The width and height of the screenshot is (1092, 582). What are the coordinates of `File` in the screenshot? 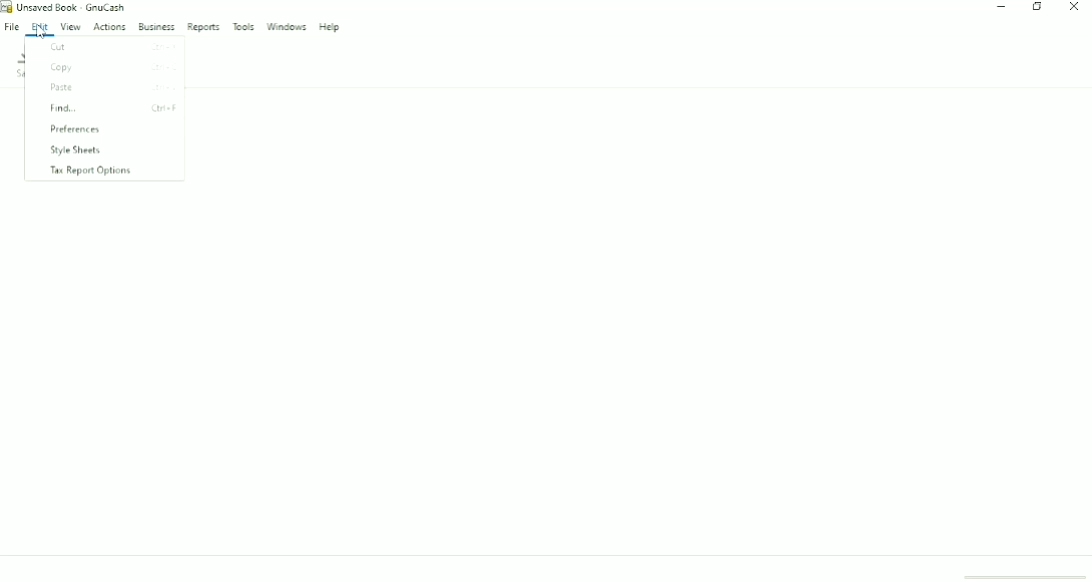 It's located at (12, 26).